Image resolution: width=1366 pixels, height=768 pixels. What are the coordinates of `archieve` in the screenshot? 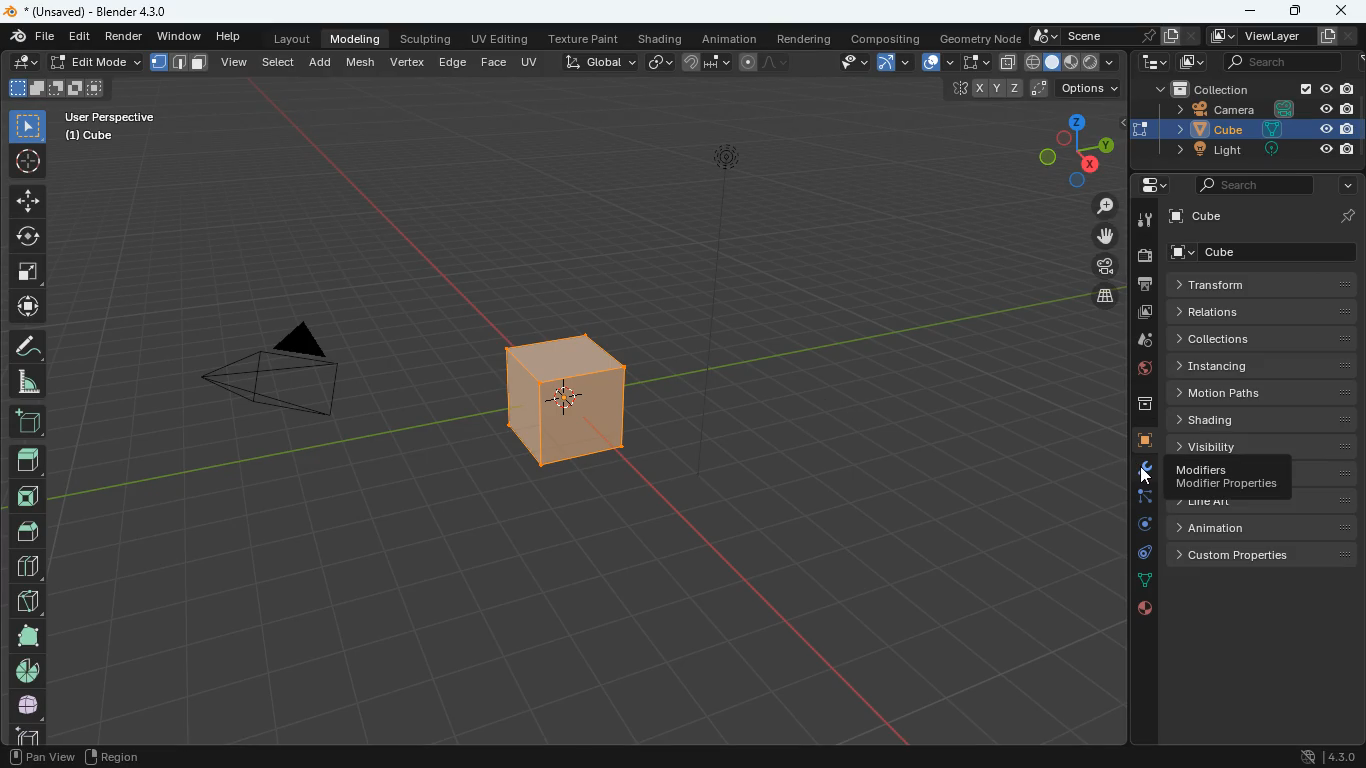 It's located at (1137, 406).